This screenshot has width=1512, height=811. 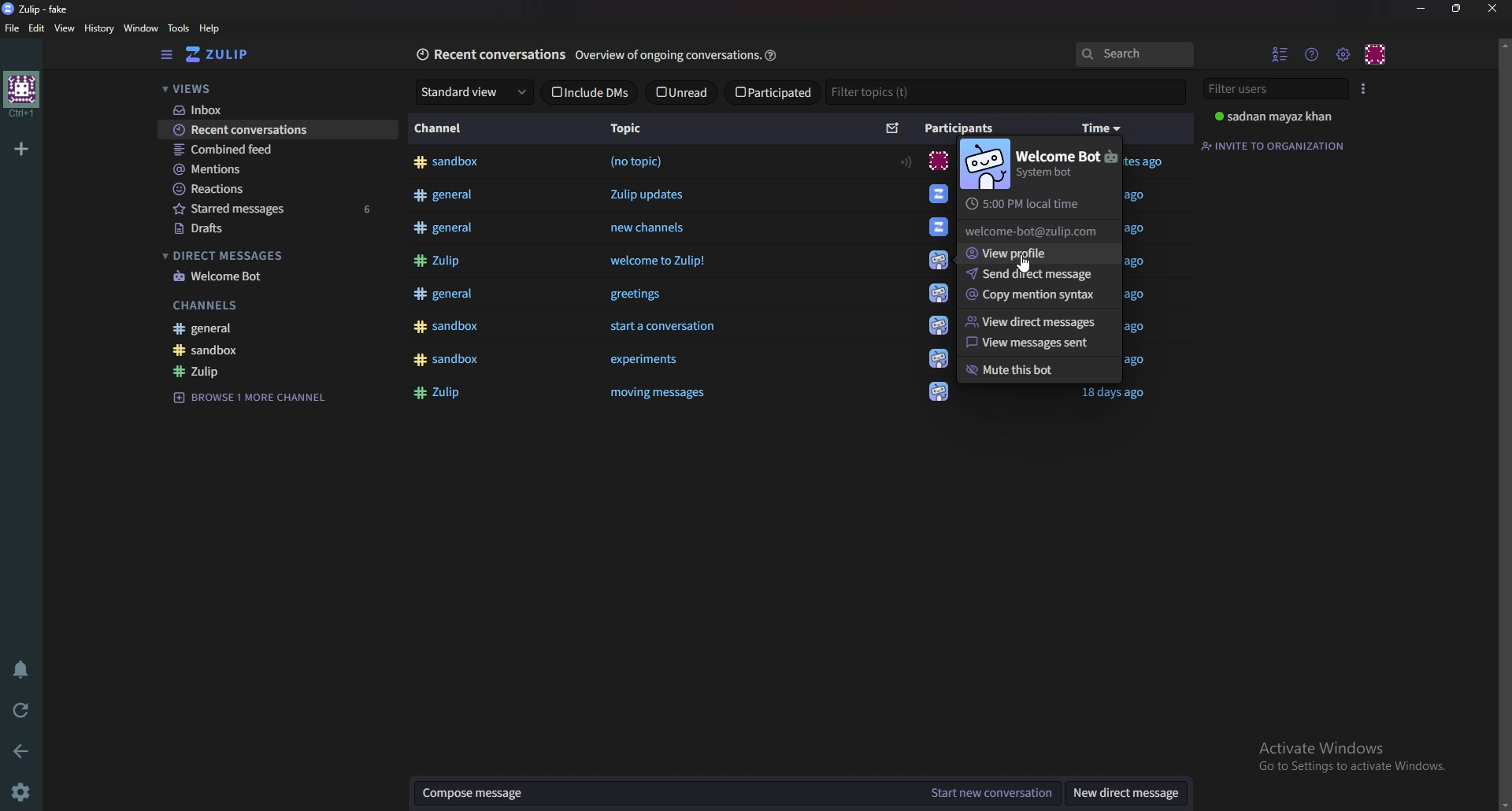 I want to click on main menu, so click(x=1343, y=51).